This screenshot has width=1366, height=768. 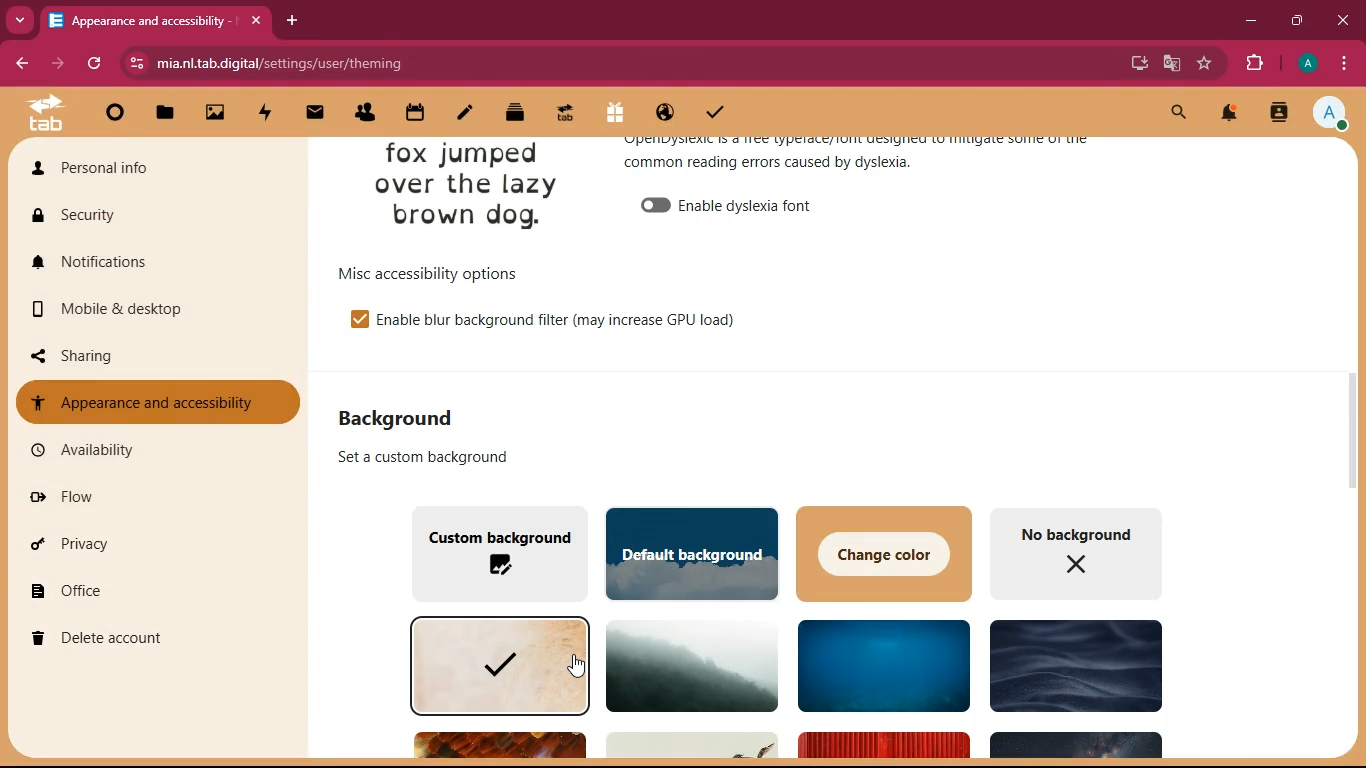 I want to click on appearance, so click(x=869, y=161).